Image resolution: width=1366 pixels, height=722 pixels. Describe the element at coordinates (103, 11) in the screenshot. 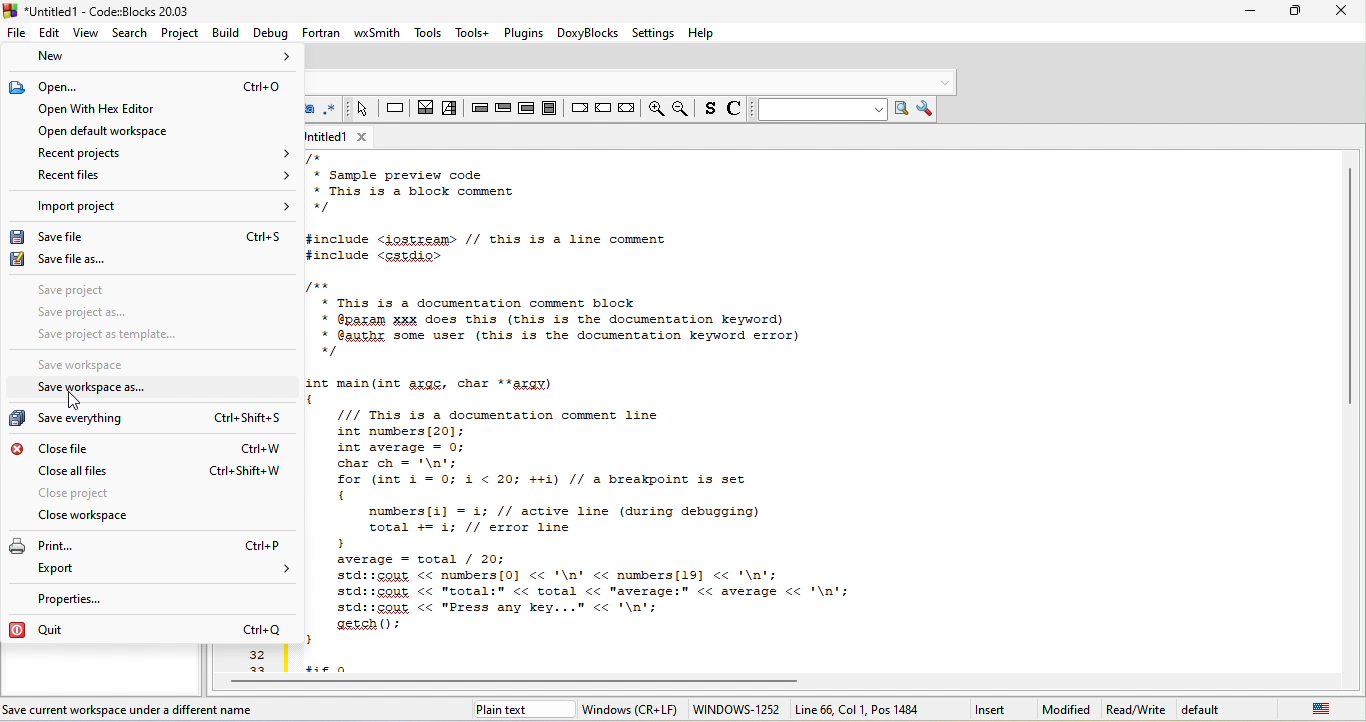

I see `title` at that location.